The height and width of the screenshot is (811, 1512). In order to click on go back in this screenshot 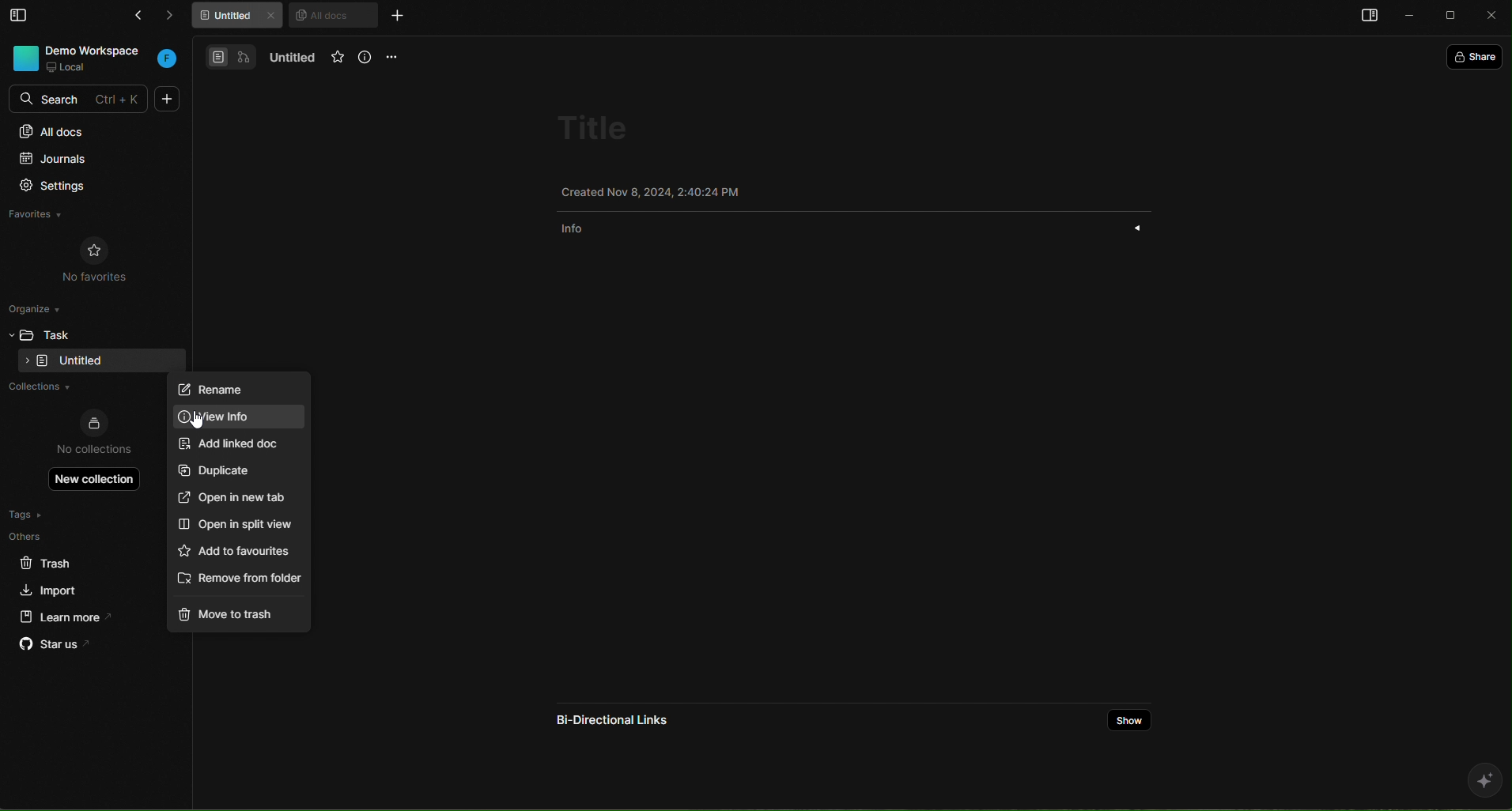, I will do `click(134, 18)`.